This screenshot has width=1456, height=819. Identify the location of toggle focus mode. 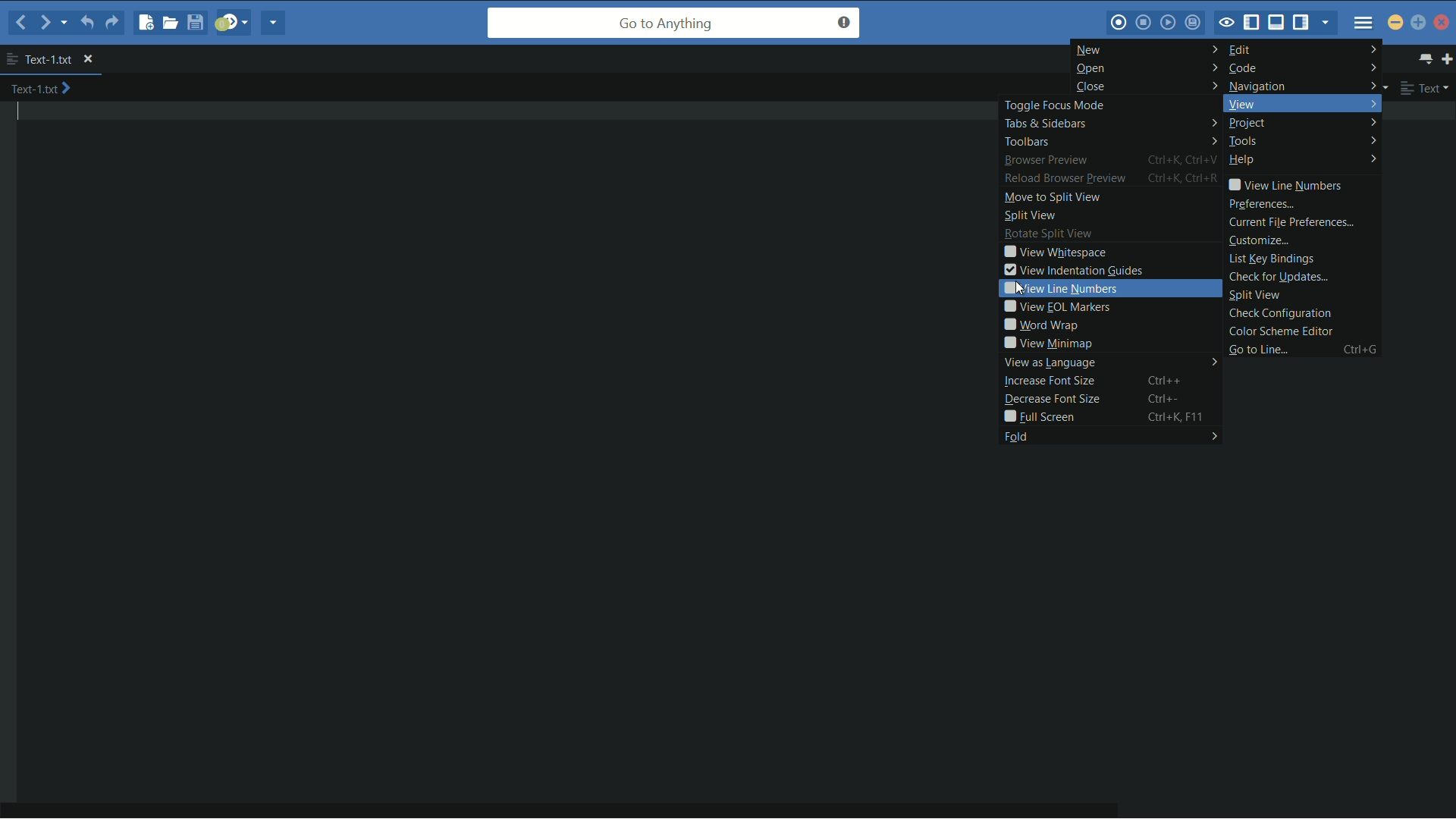
(1102, 105).